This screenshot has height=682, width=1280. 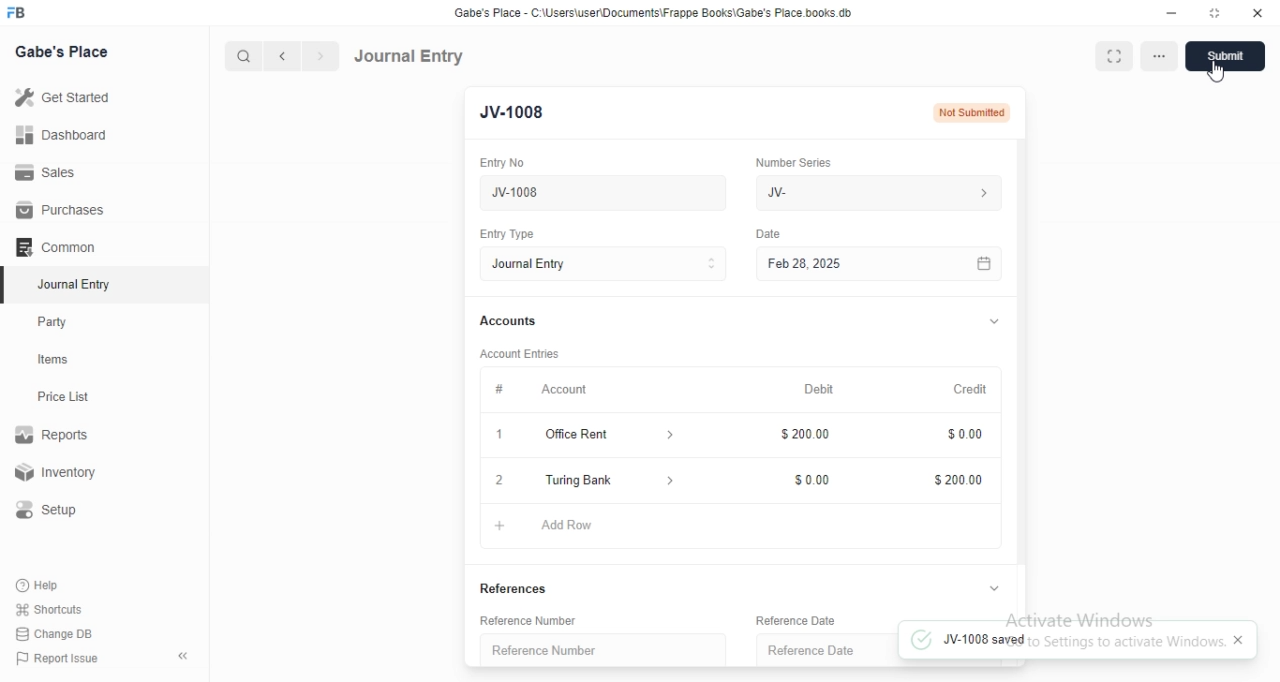 What do you see at coordinates (519, 322) in the screenshot?
I see `Accounts` at bounding box center [519, 322].